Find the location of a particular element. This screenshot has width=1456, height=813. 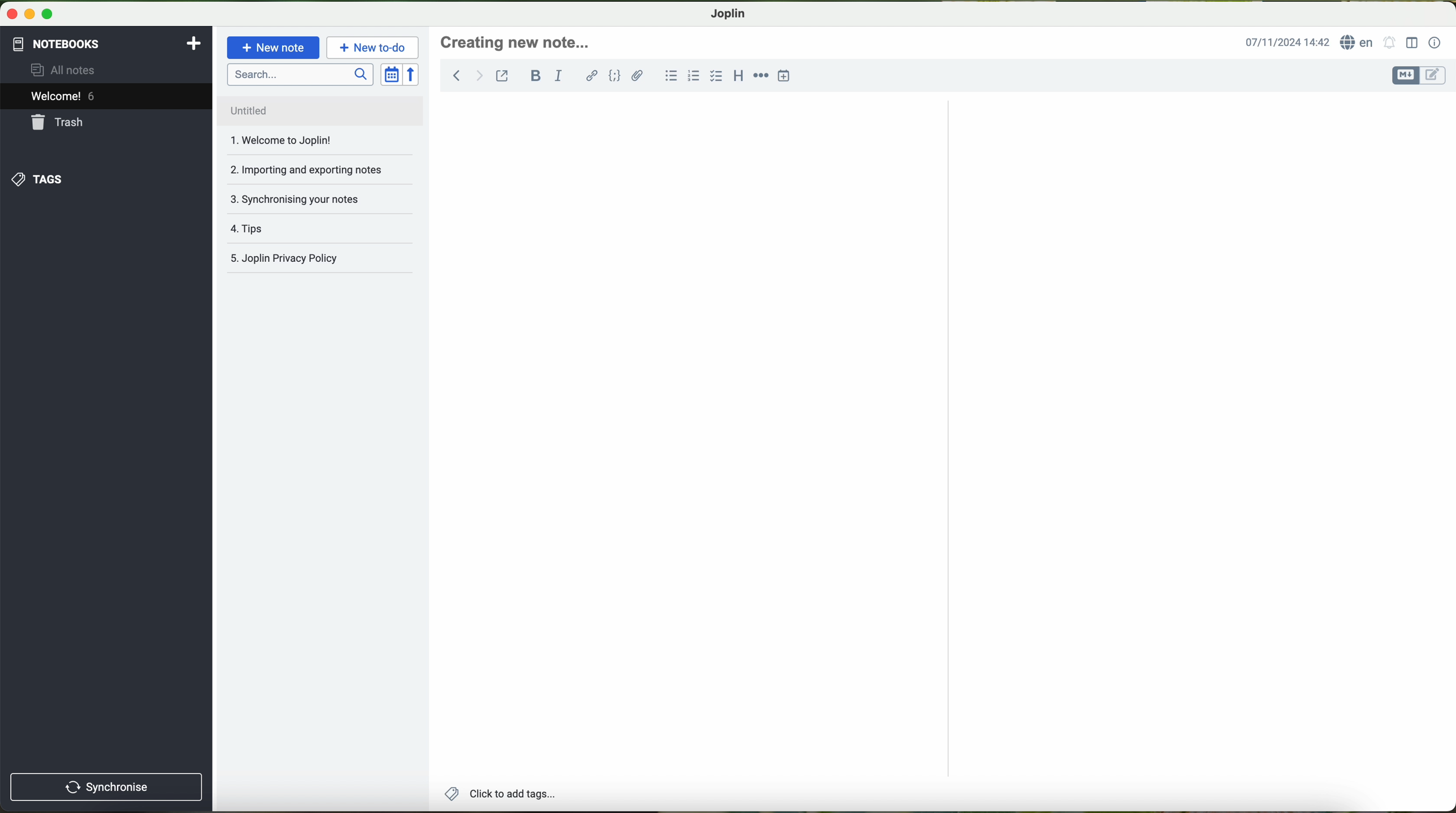

reverse sort order is located at coordinates (412, 75).